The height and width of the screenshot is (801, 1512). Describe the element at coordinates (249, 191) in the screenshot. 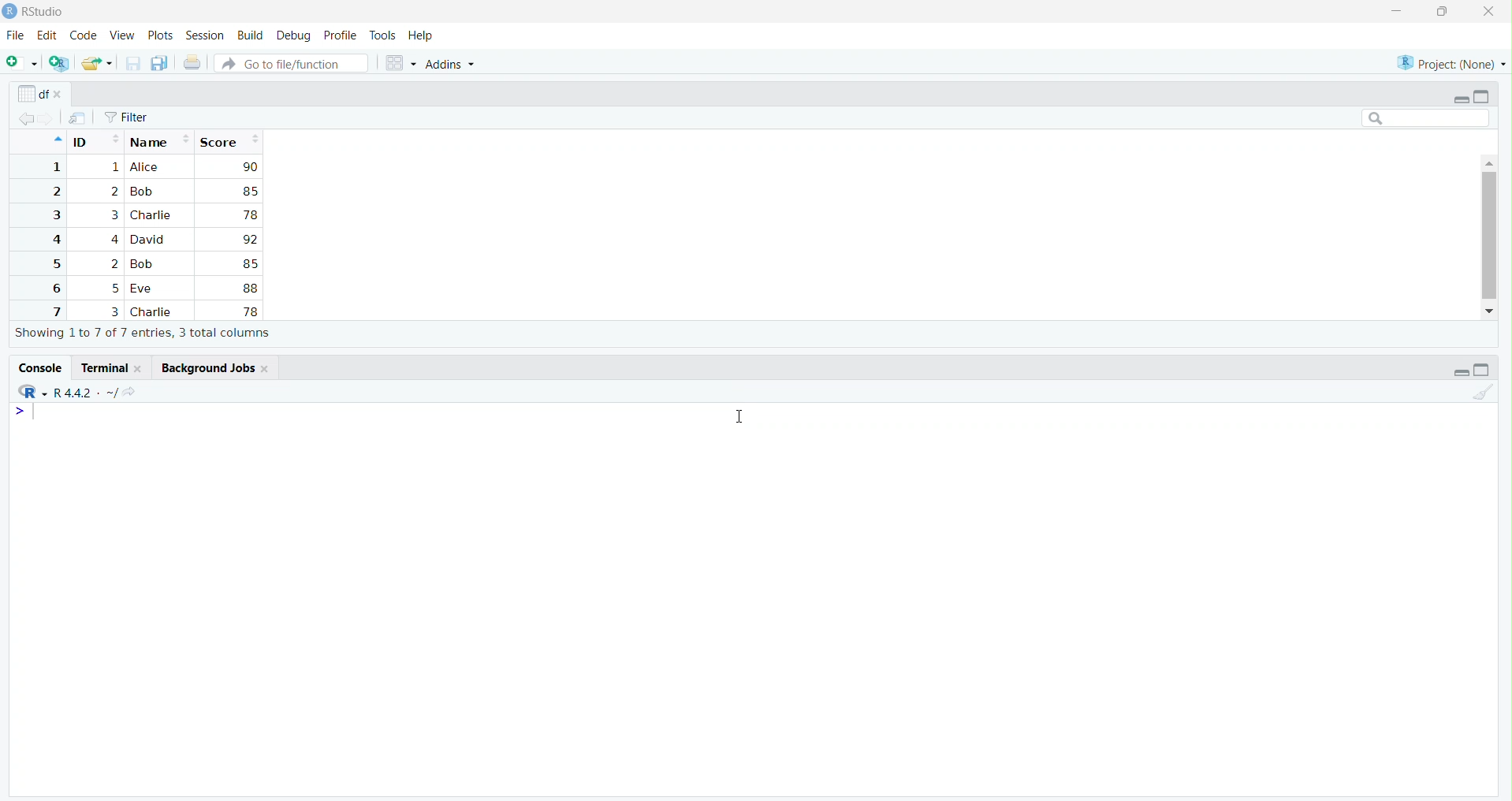

I see `85` at that location.